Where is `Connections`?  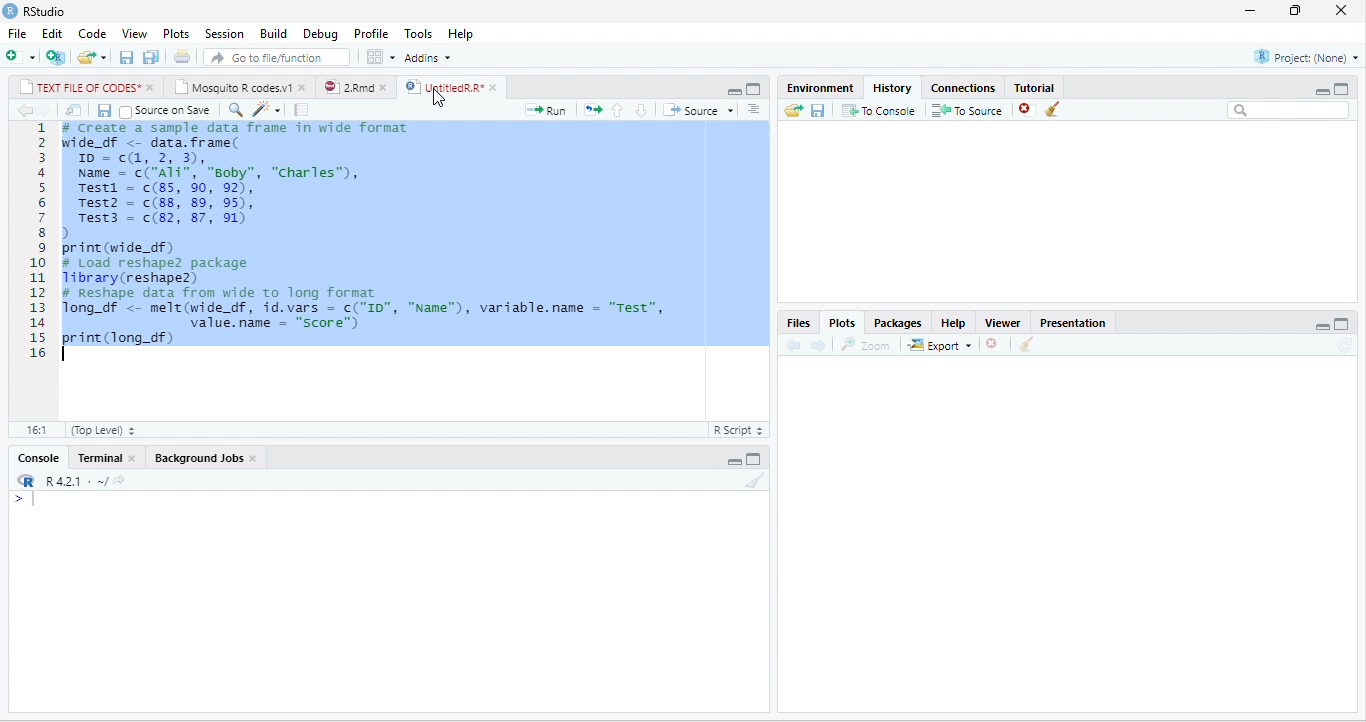 Connections is located at coordinates (963, 88).